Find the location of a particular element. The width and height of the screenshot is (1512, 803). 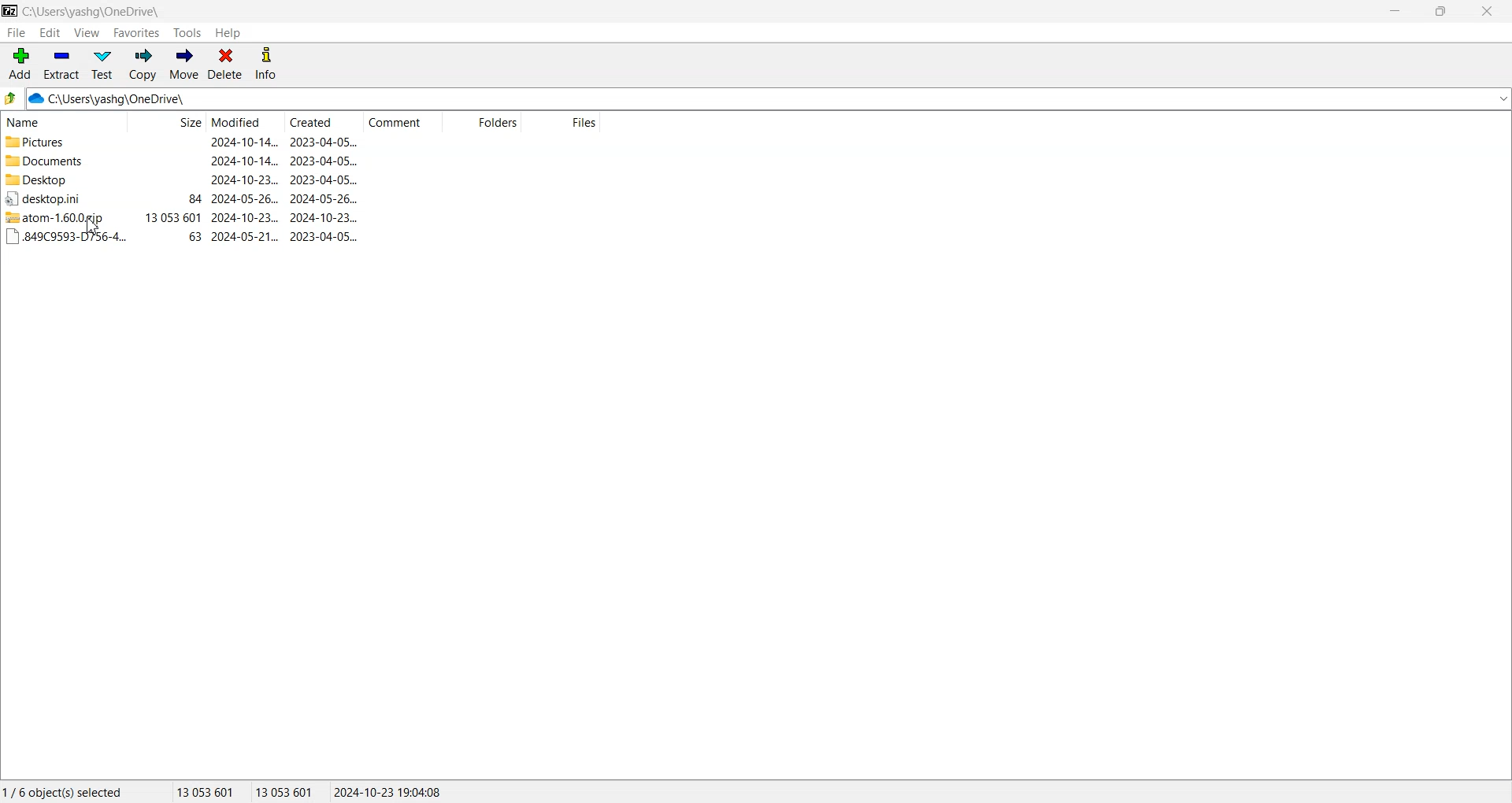

Add is located at coordinates (20, 64).